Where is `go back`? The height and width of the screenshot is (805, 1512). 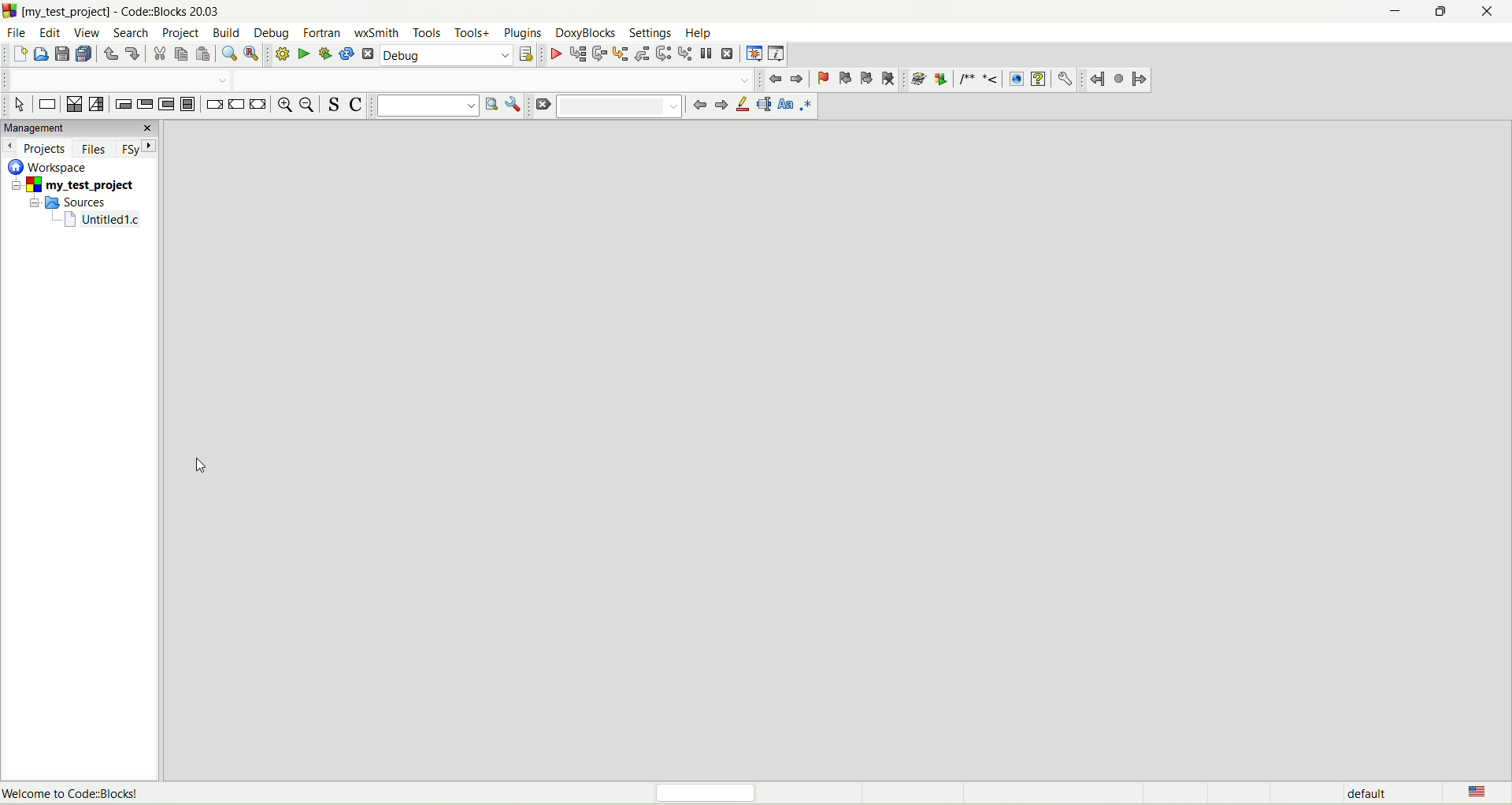
go back is located at coordinates (698, 106).